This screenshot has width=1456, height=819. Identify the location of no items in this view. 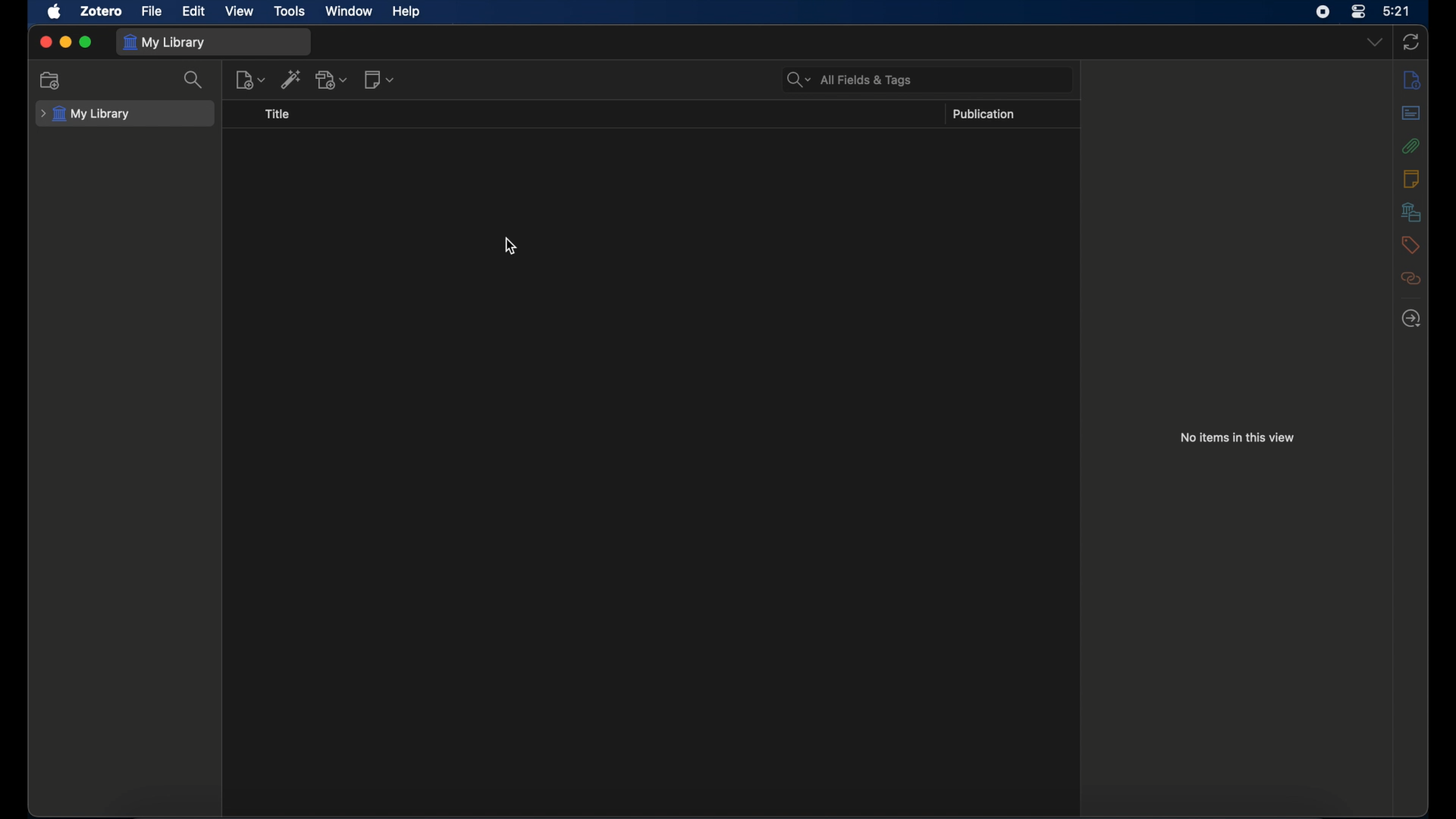
(1238, 437).